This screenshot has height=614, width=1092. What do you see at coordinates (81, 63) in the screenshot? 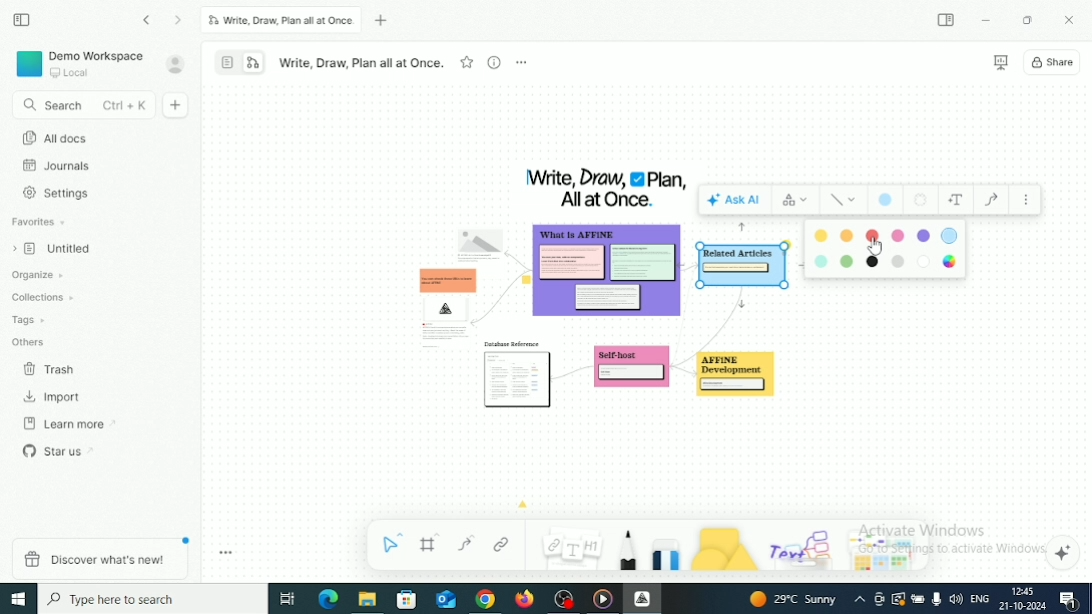
I see `Demo Workspace` at bounding box center [81, 63].